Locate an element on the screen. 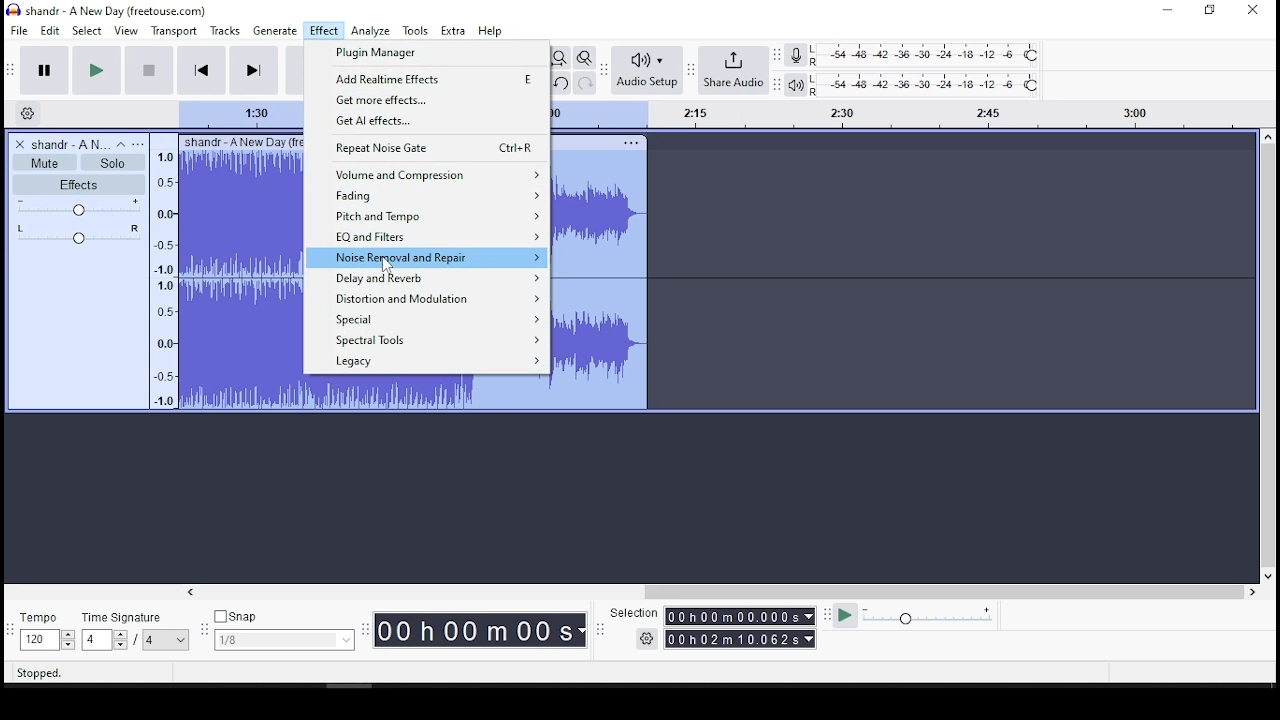 The height and width of the screenshot is (720, 1280). help is located at coordinates (489, 30).